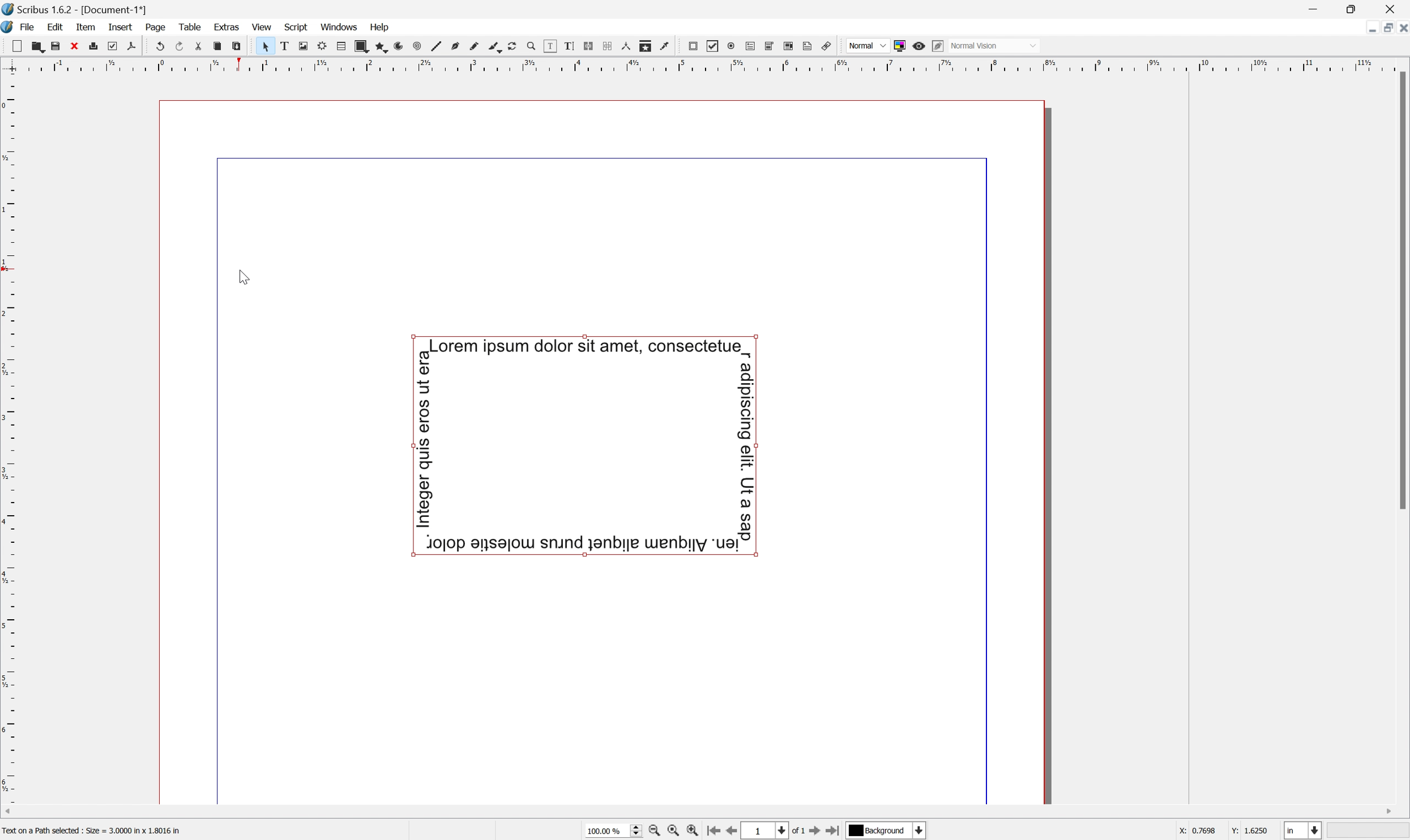 This screenshot has height=840, width=1410. I want to click on View, so click(263, 27).